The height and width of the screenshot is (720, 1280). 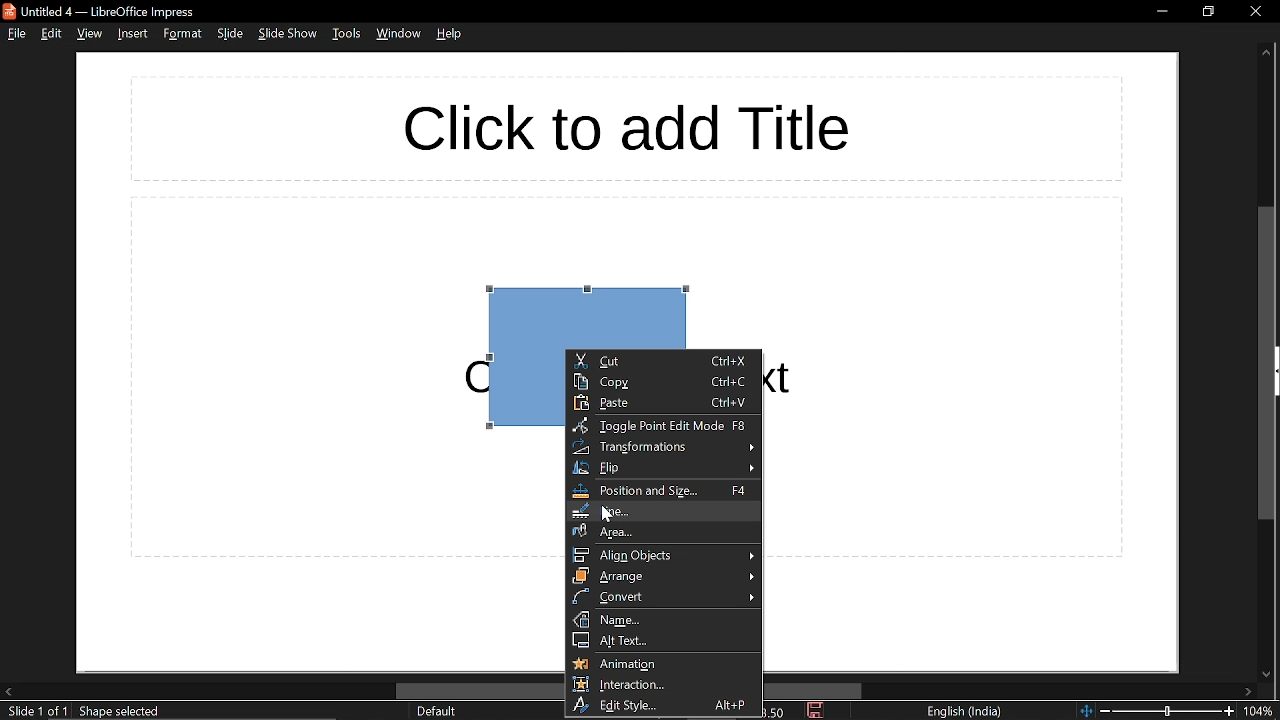 What do you see at coordinates (398, 34) in the screenshot?
I see `window` at bounding box center [398, 34].